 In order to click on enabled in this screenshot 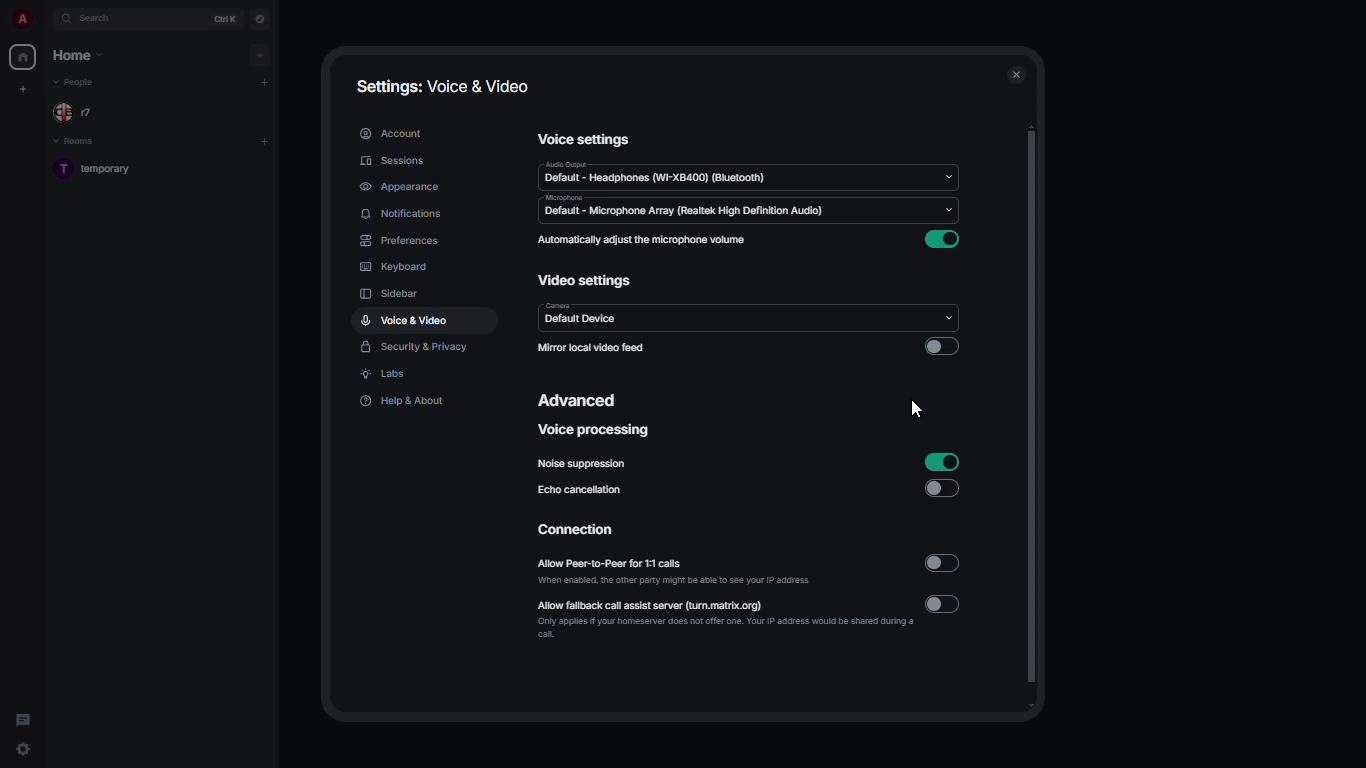, I will do `click(946, 241)`.